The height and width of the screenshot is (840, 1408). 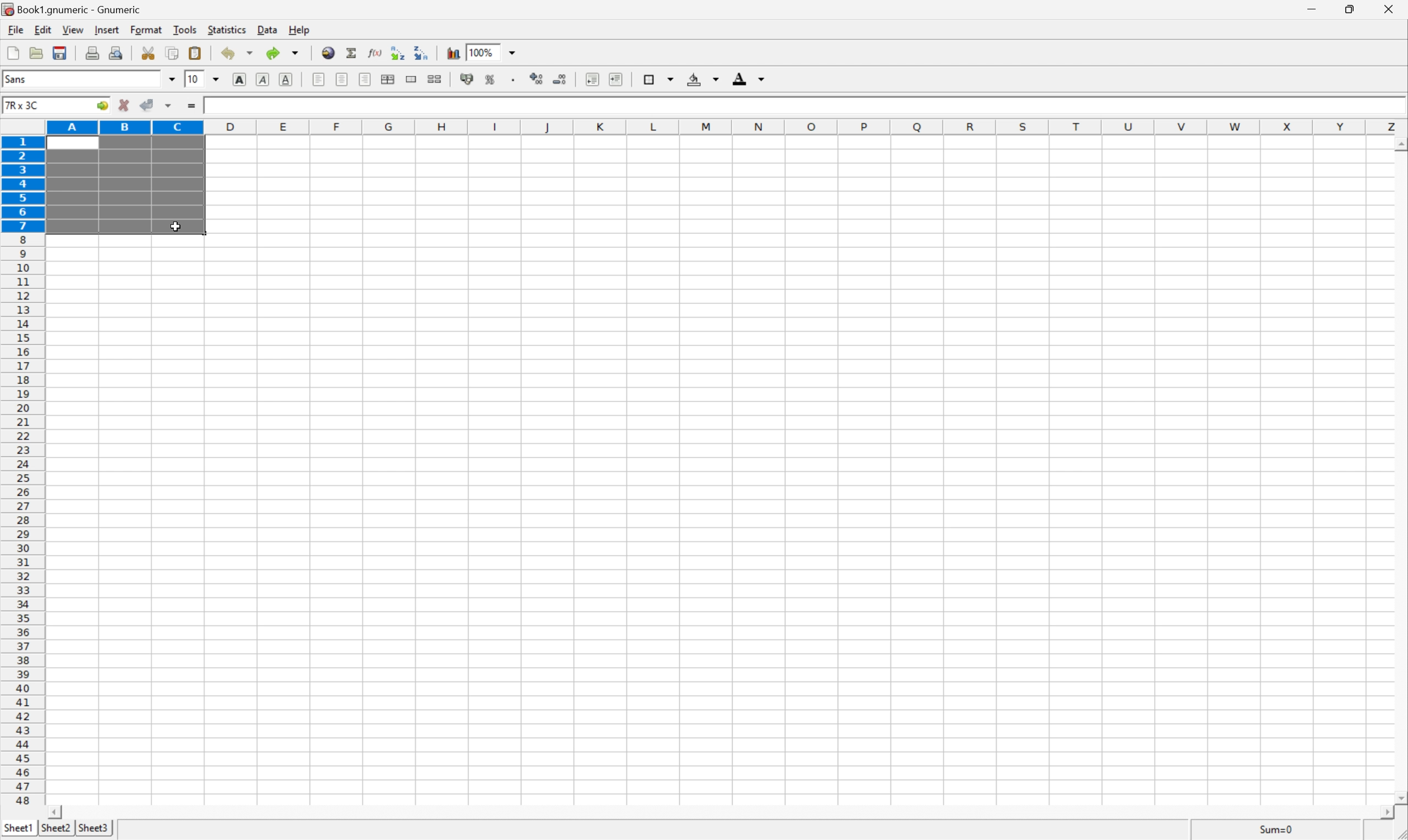 What do you see at coordinates (411, 77) in the screenshot?
I see `merge a range of cells` at bounding box center [411, 77].